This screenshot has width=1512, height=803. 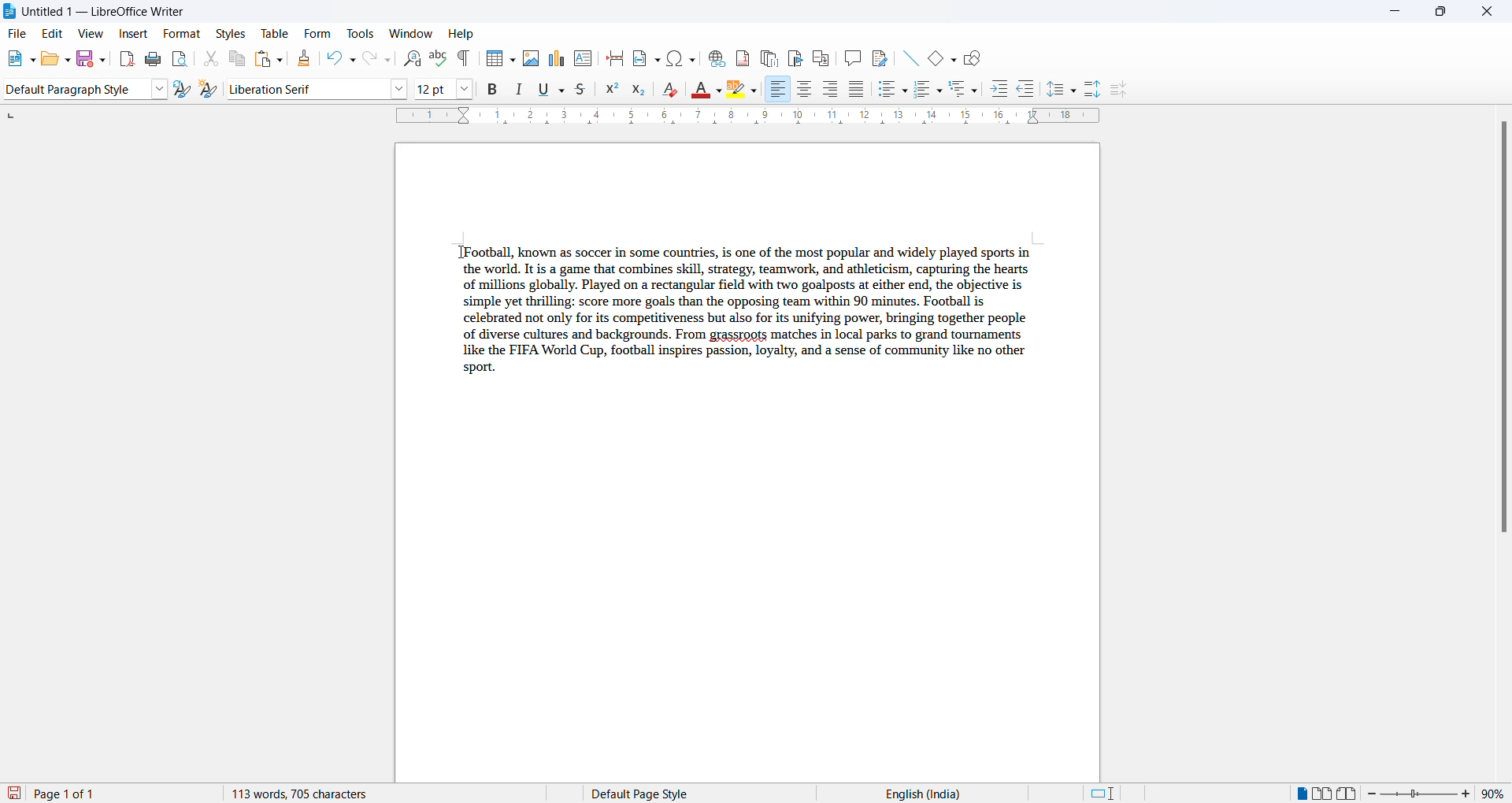 What do you see at coordinates (615, 58) in the screenshot?
I see `page break` at bounding box center [615, 58].